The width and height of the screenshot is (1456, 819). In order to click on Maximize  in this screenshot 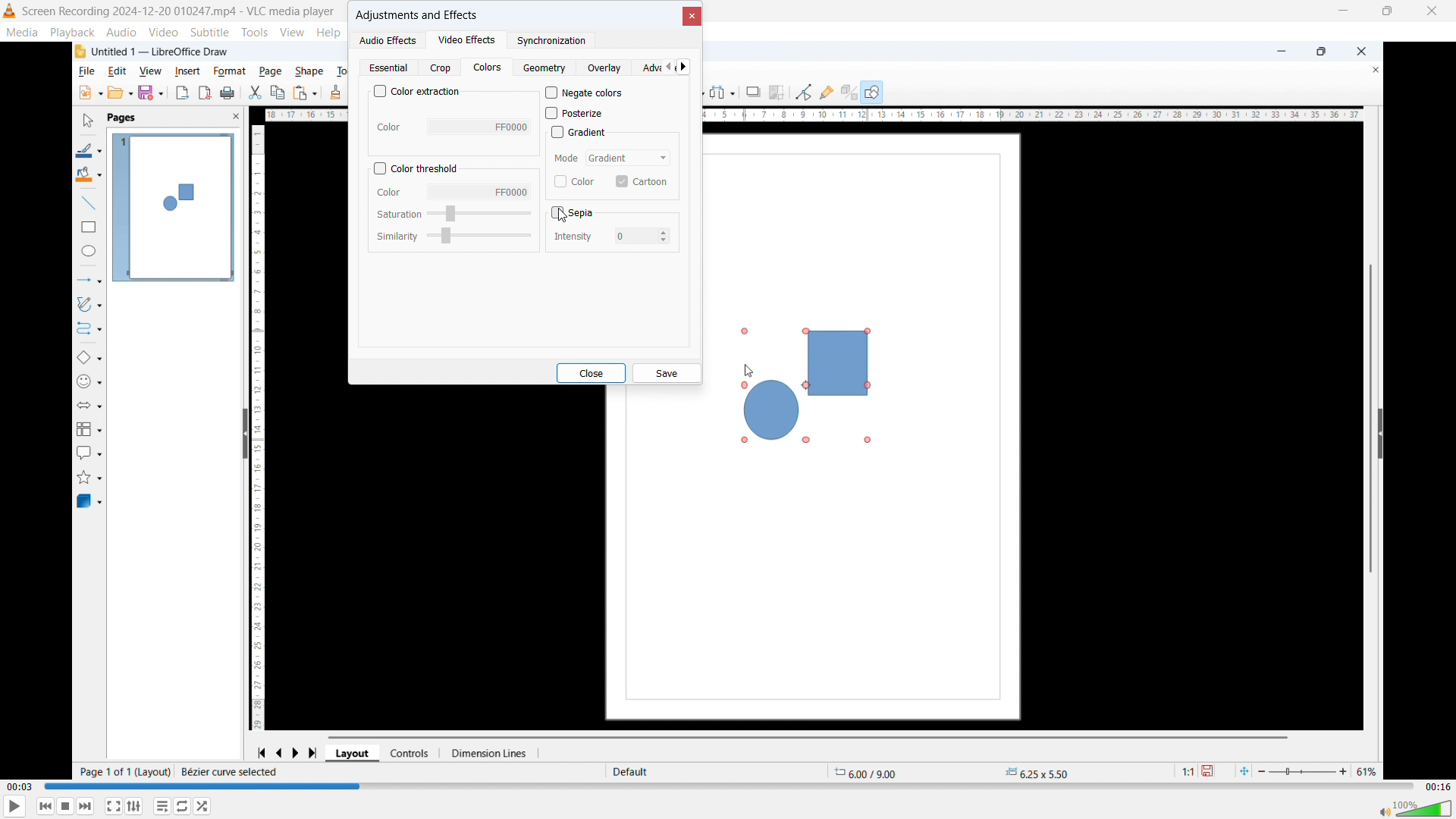, I will do `click(1387, 11)`.